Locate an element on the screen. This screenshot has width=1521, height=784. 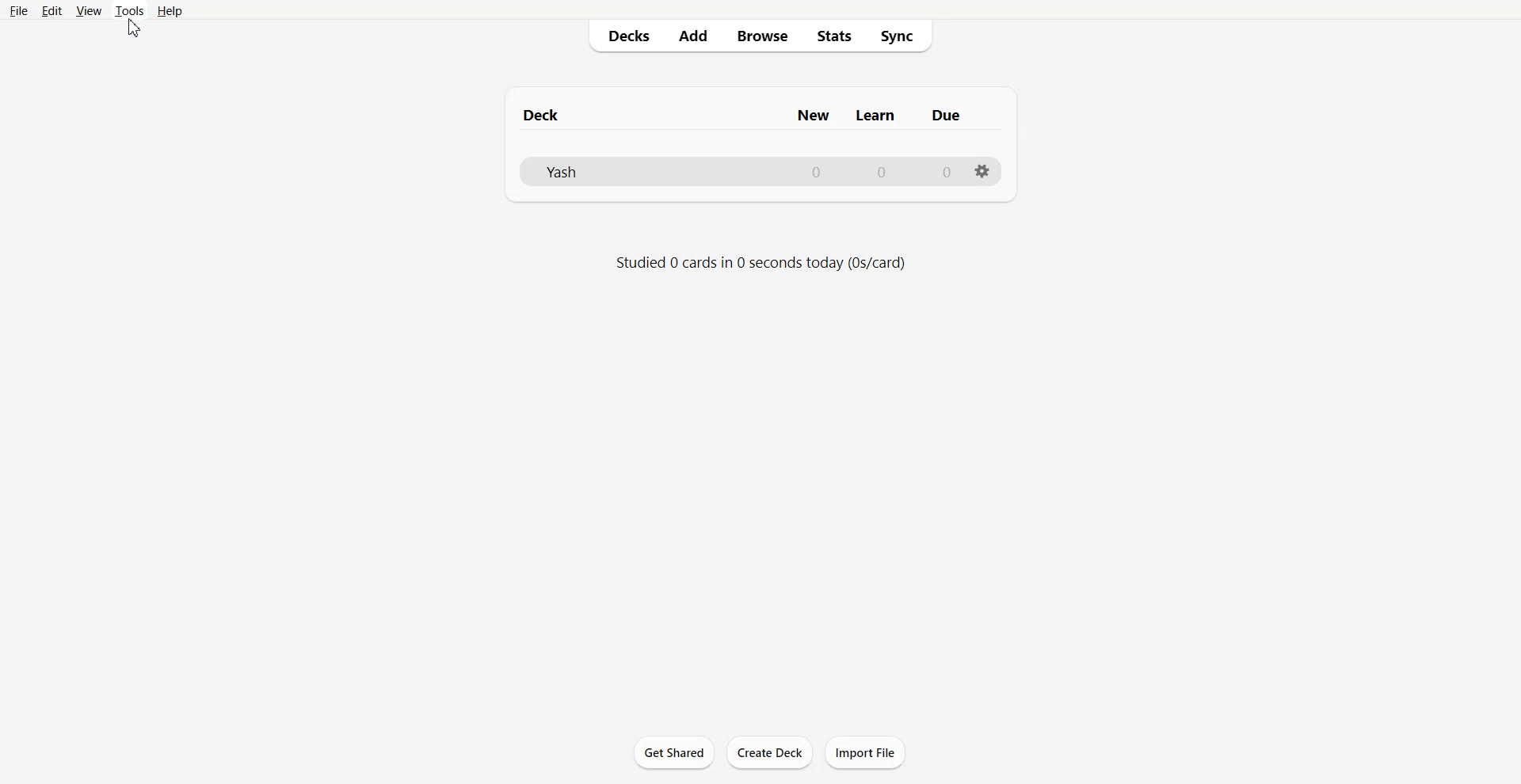
Column name is located at coordinates (875, 116).